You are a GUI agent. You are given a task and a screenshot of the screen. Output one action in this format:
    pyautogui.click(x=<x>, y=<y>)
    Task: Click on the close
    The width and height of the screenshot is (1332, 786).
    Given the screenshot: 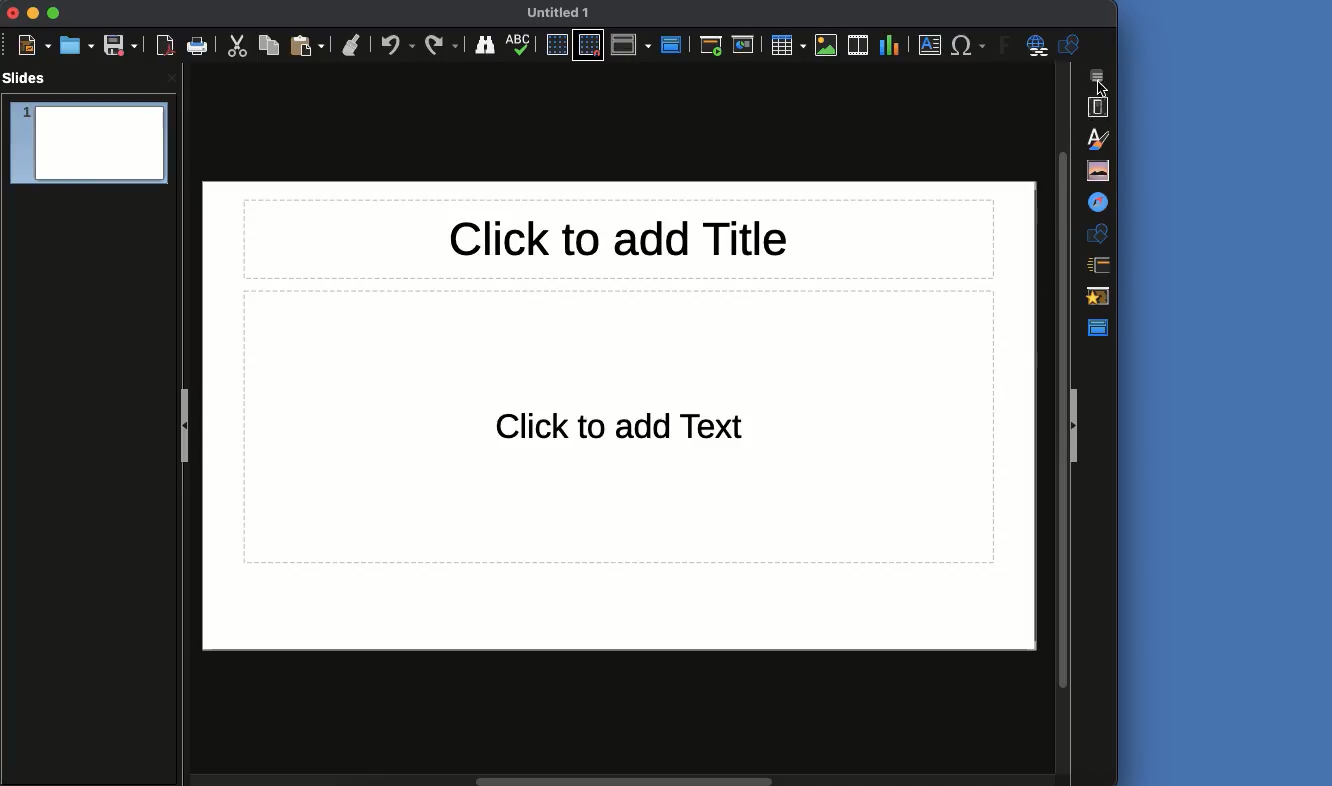 What is the action you would take?
    pyautogui.click(x=176, y=81)
    